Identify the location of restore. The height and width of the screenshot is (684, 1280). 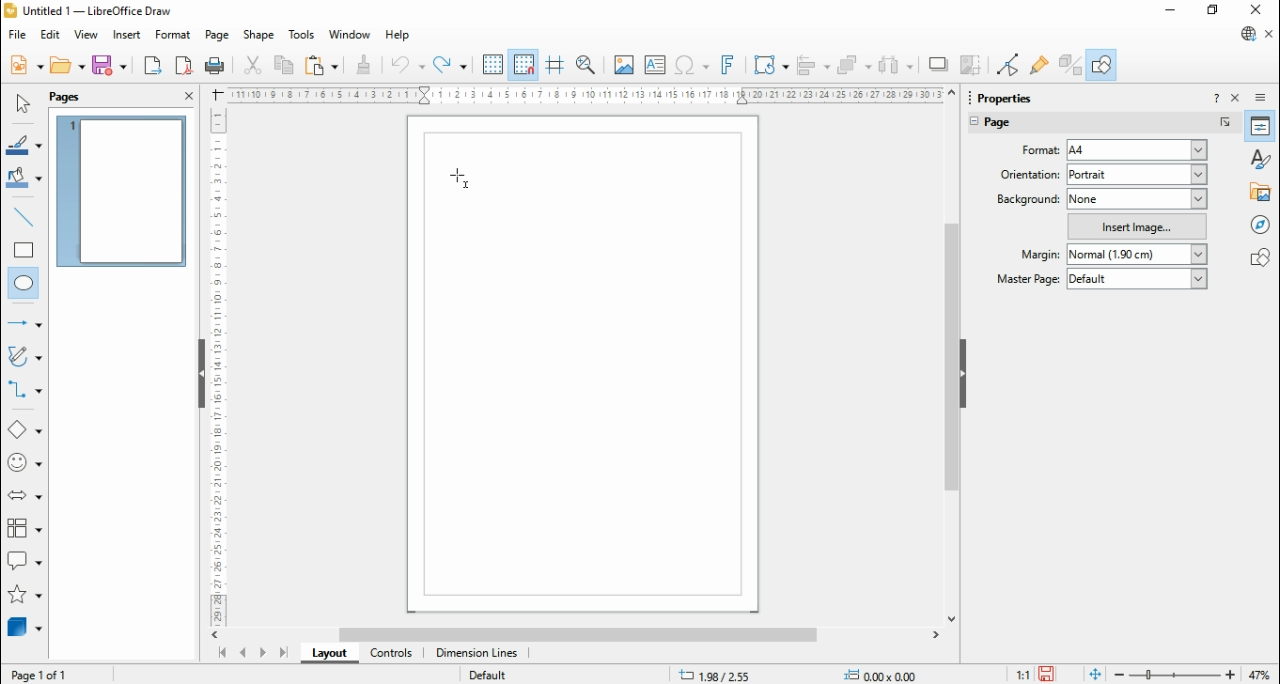
(1214, 11).